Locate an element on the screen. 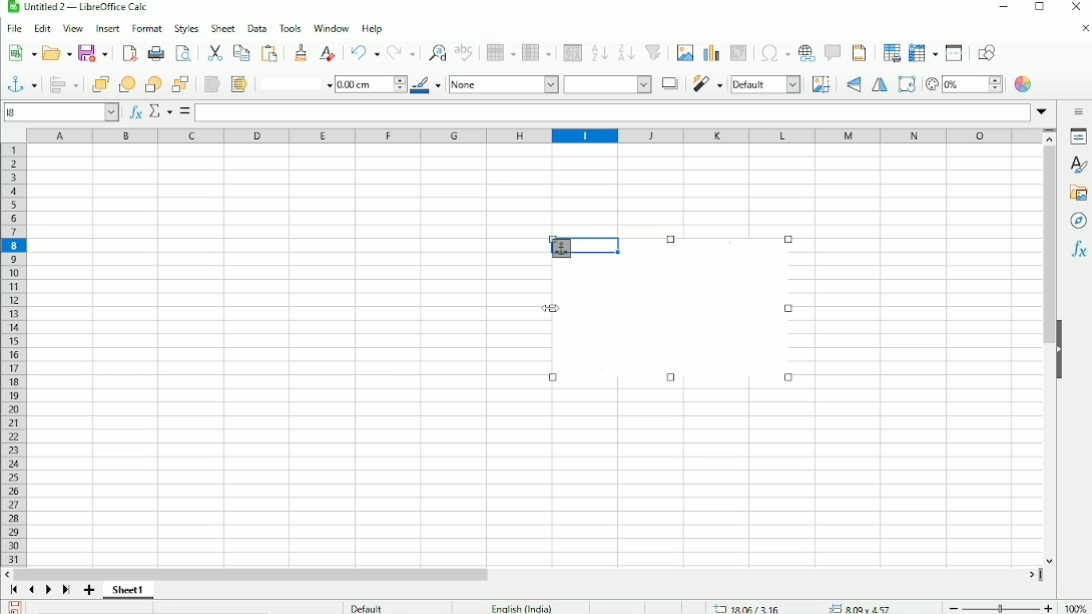 The image size is (1092, 614). Styles is located at coordinates (187, 28).